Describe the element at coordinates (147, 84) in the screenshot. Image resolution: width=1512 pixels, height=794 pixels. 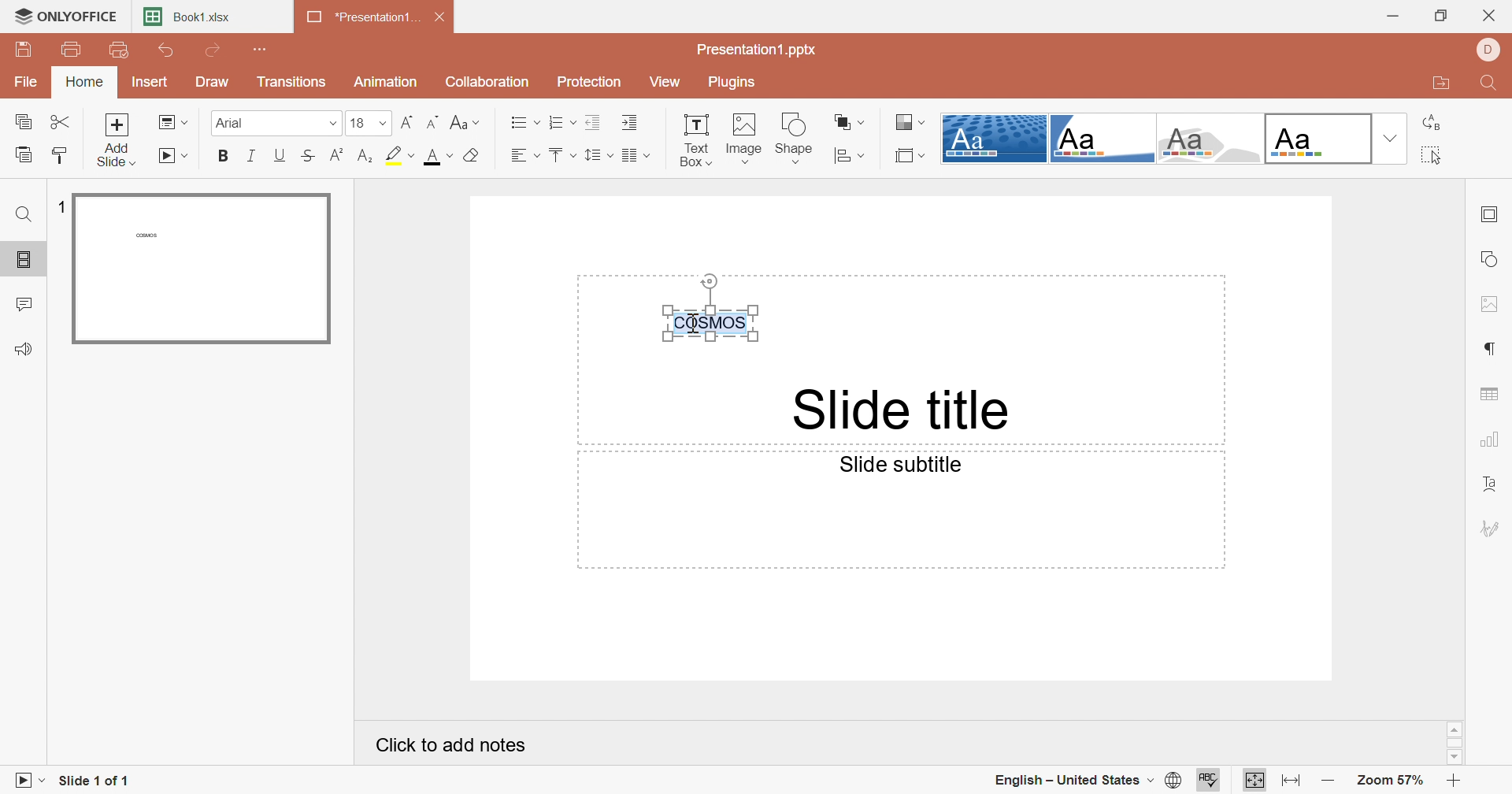
I see `Insert` at that location.